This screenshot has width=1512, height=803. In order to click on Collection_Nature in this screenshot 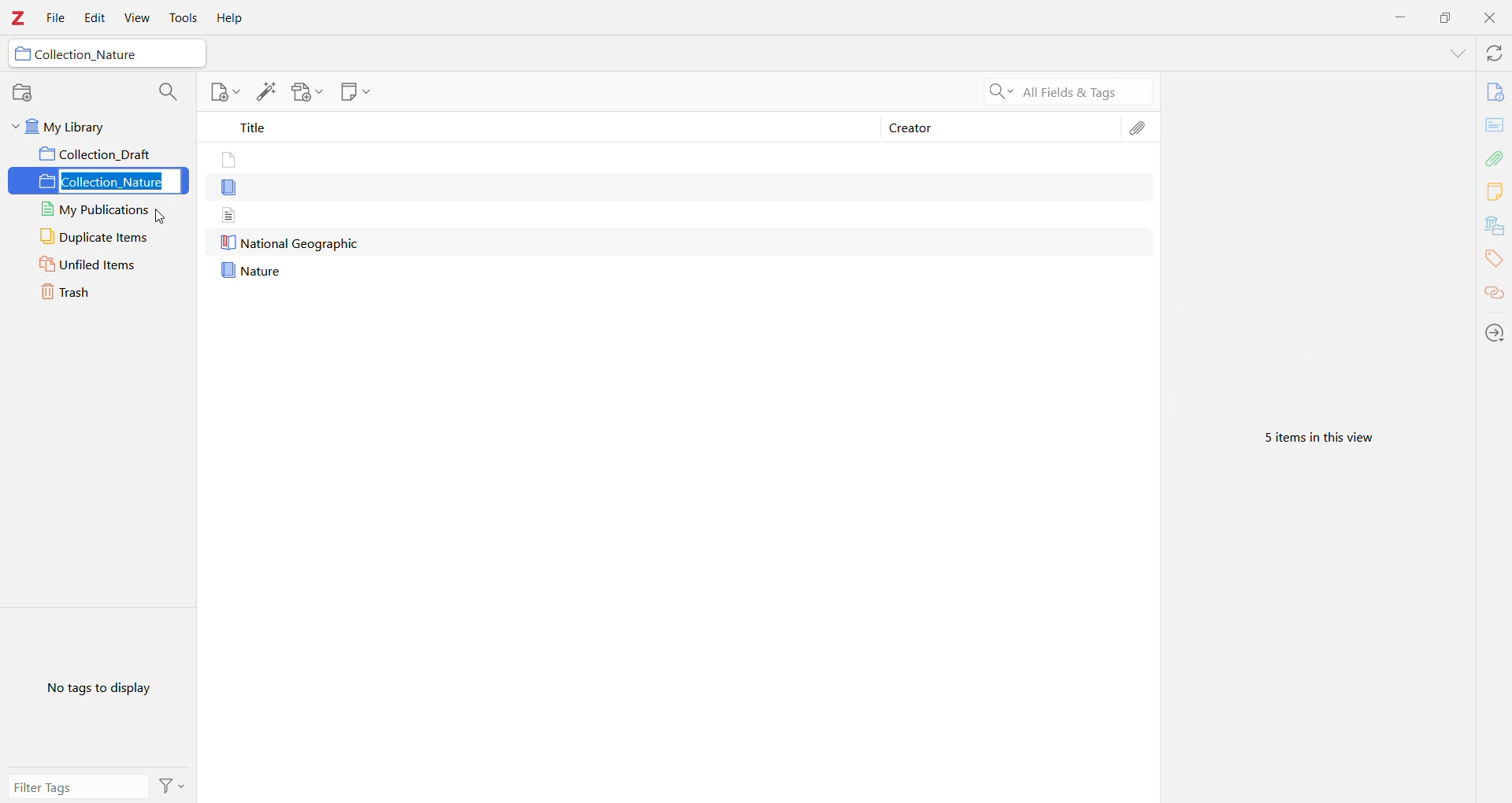, I will do `click(109, 53)`.